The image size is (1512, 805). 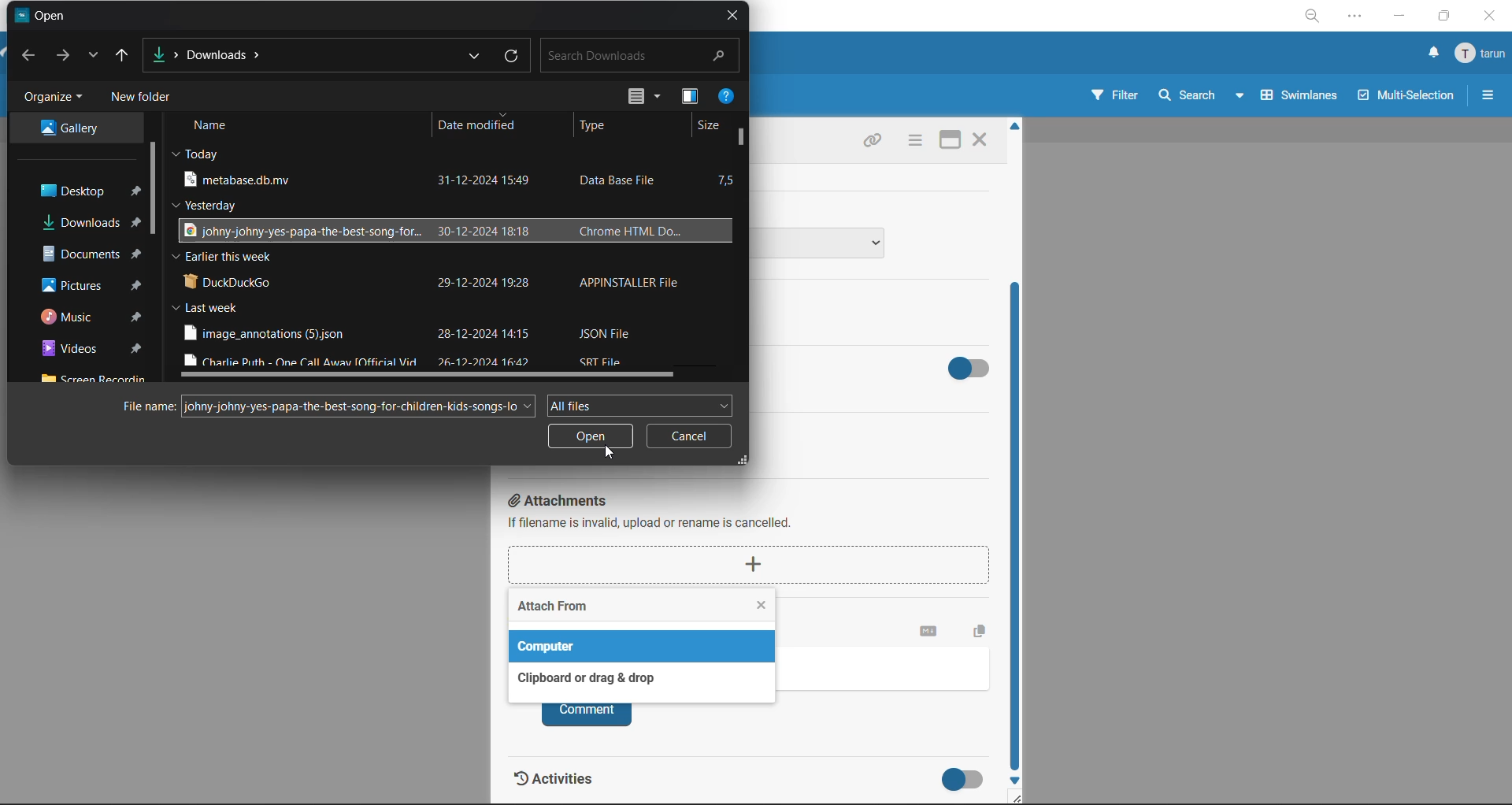 What do you see at coordinates (1018, 529) in the screenshot?
I see `vertical scroll bar` at bounding box center [1018, 529].